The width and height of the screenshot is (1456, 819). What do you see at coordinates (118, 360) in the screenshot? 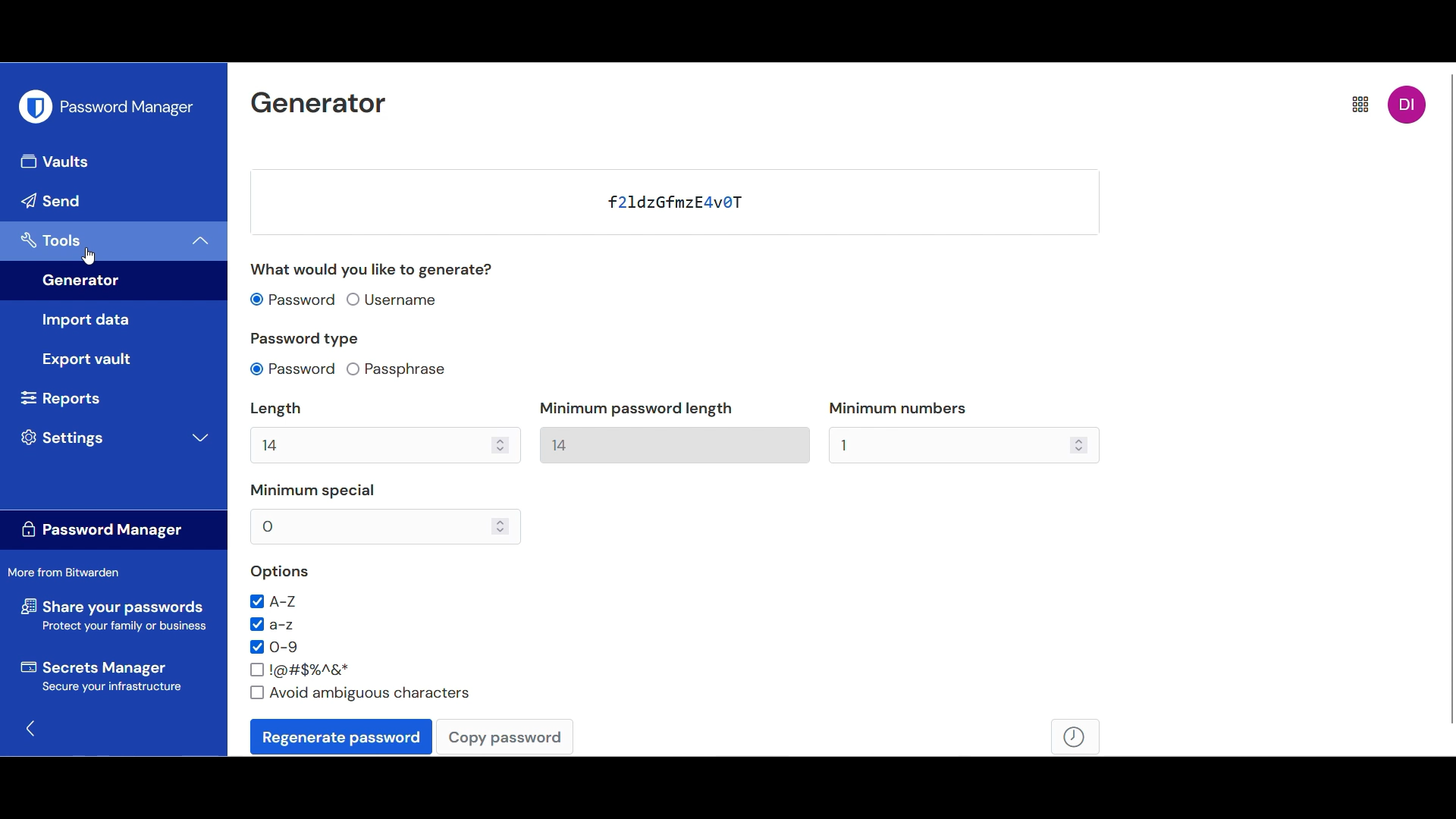
I see `Export vault` at bounding box center [118, 360].